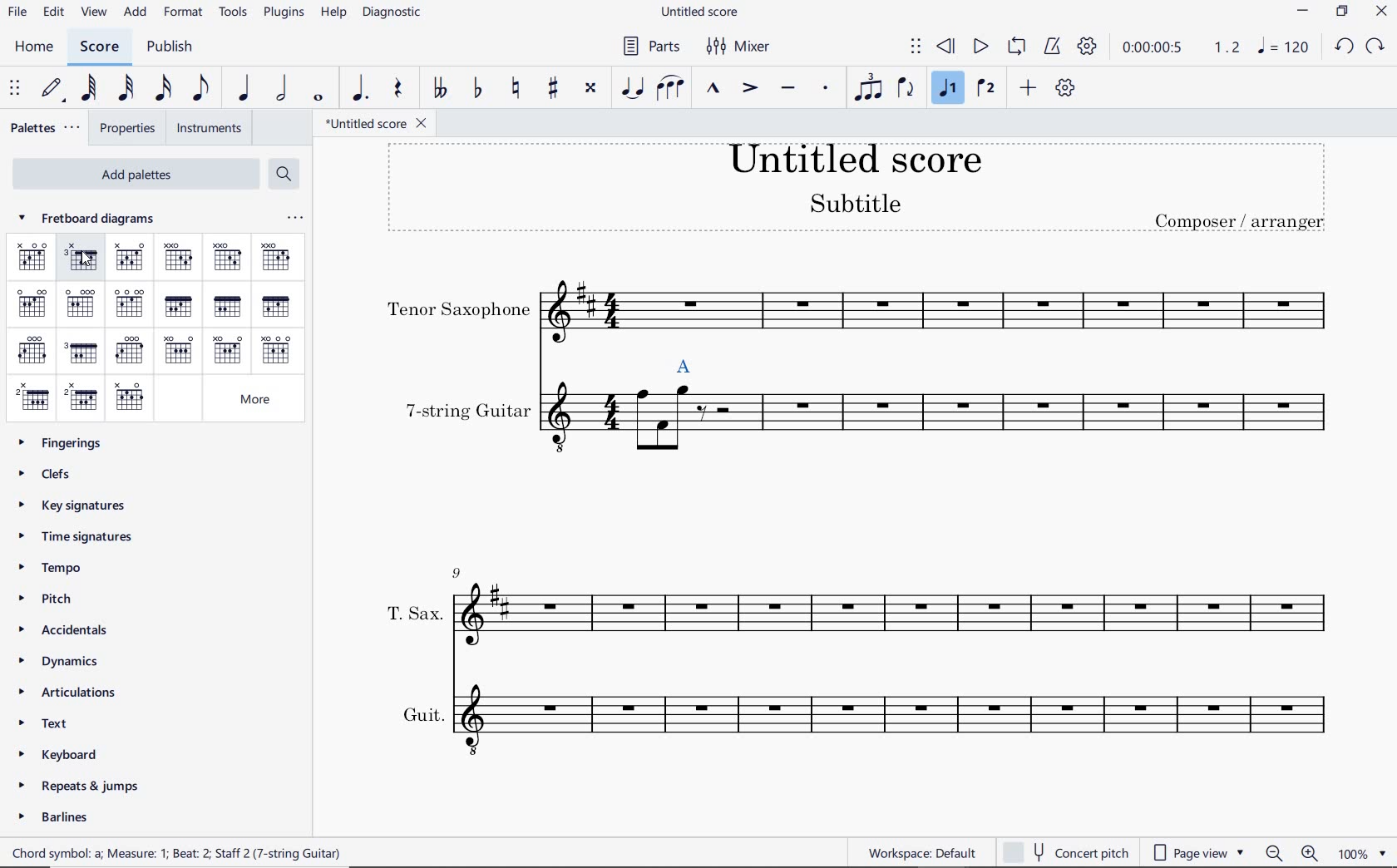  What do you see at coordinates (862, 718) in the screenshot?
I see `INSTRUMENT: GUIT` at bounding box center [862, 718].